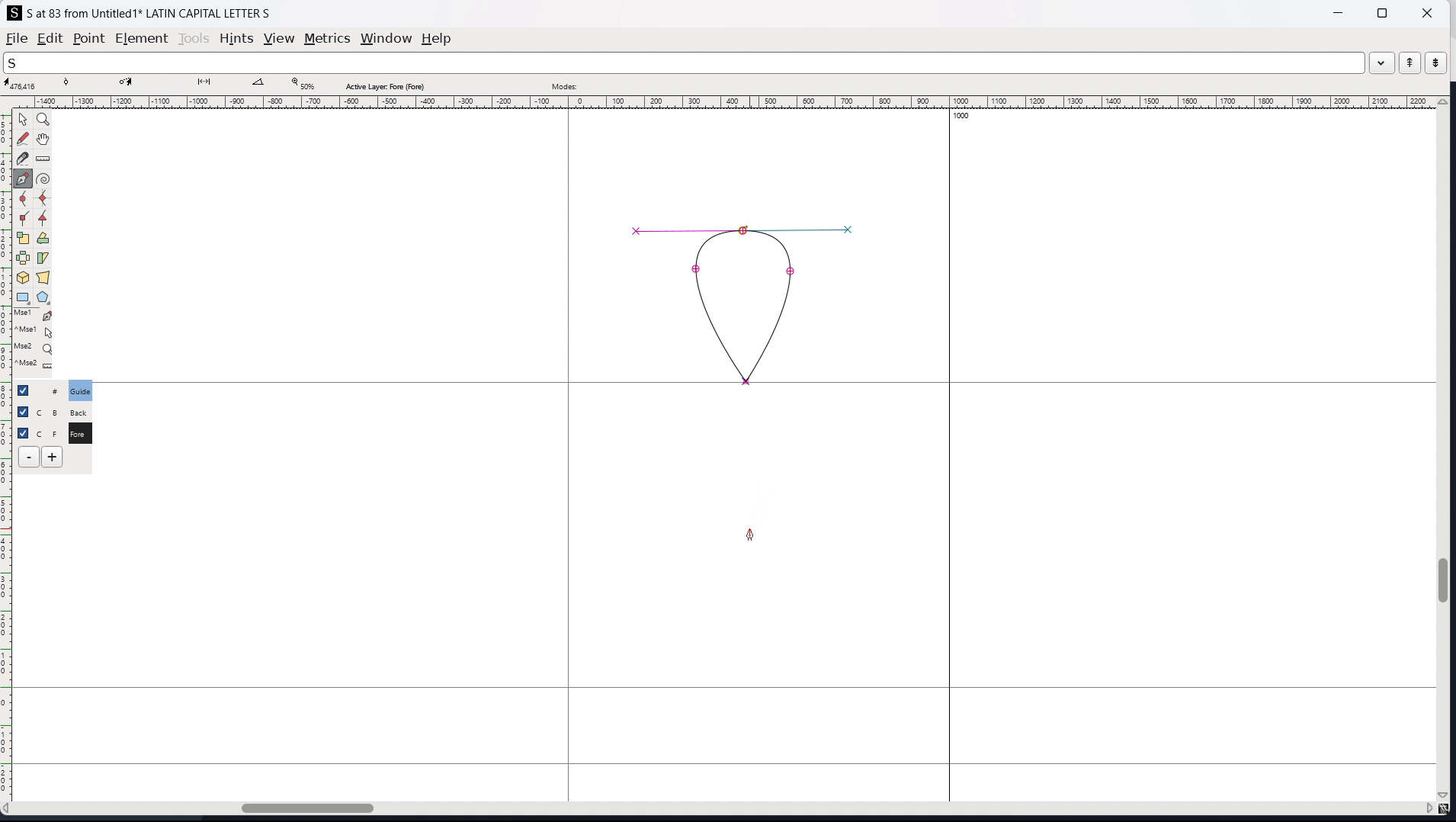 Image resolution: width=1456 pixels, height=822 pixels. I want to click on measure distance, angle between two points, so click(43, 159).